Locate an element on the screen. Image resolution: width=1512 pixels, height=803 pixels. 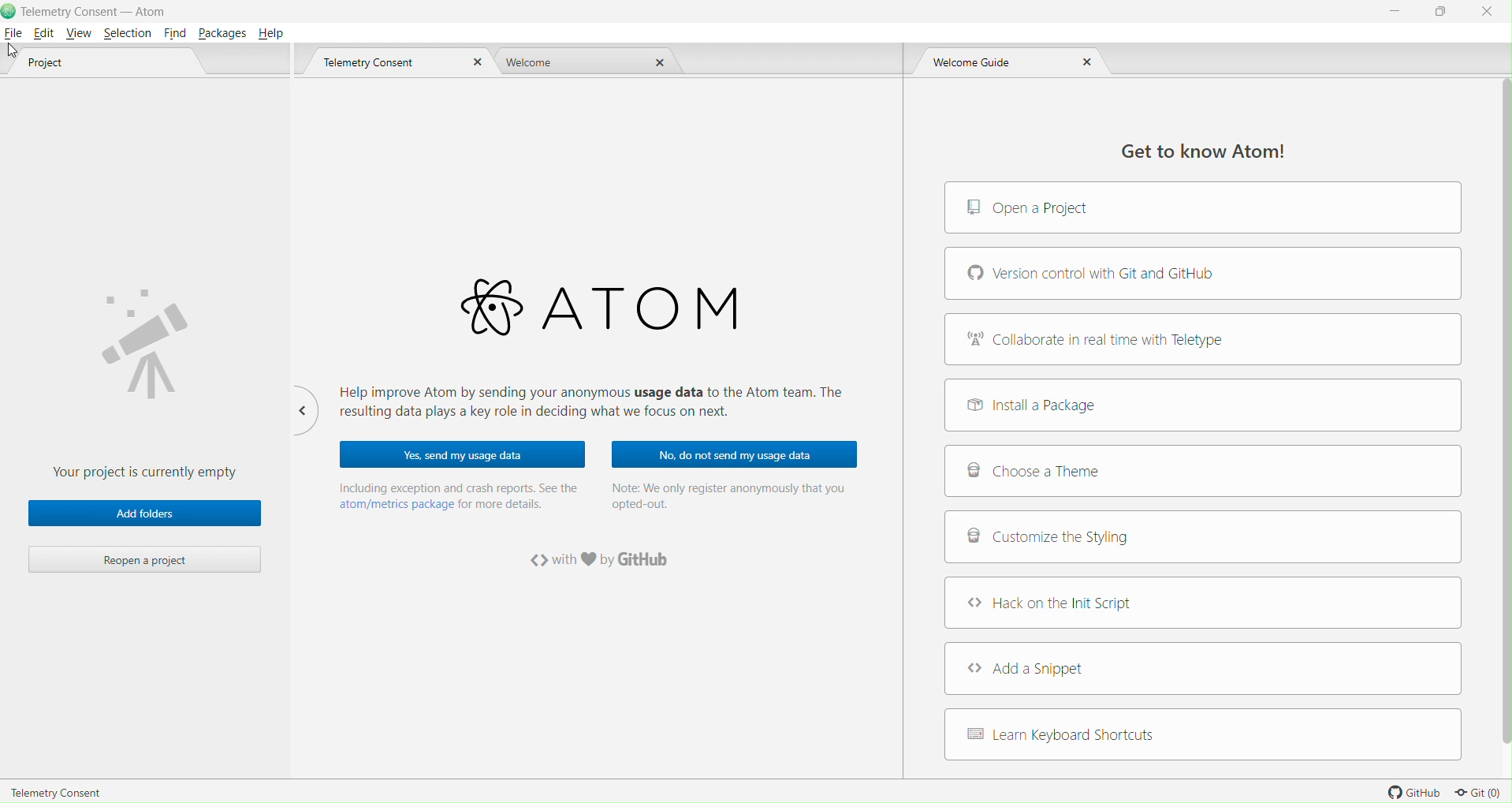
Close is located at coordinates (1086, 65).